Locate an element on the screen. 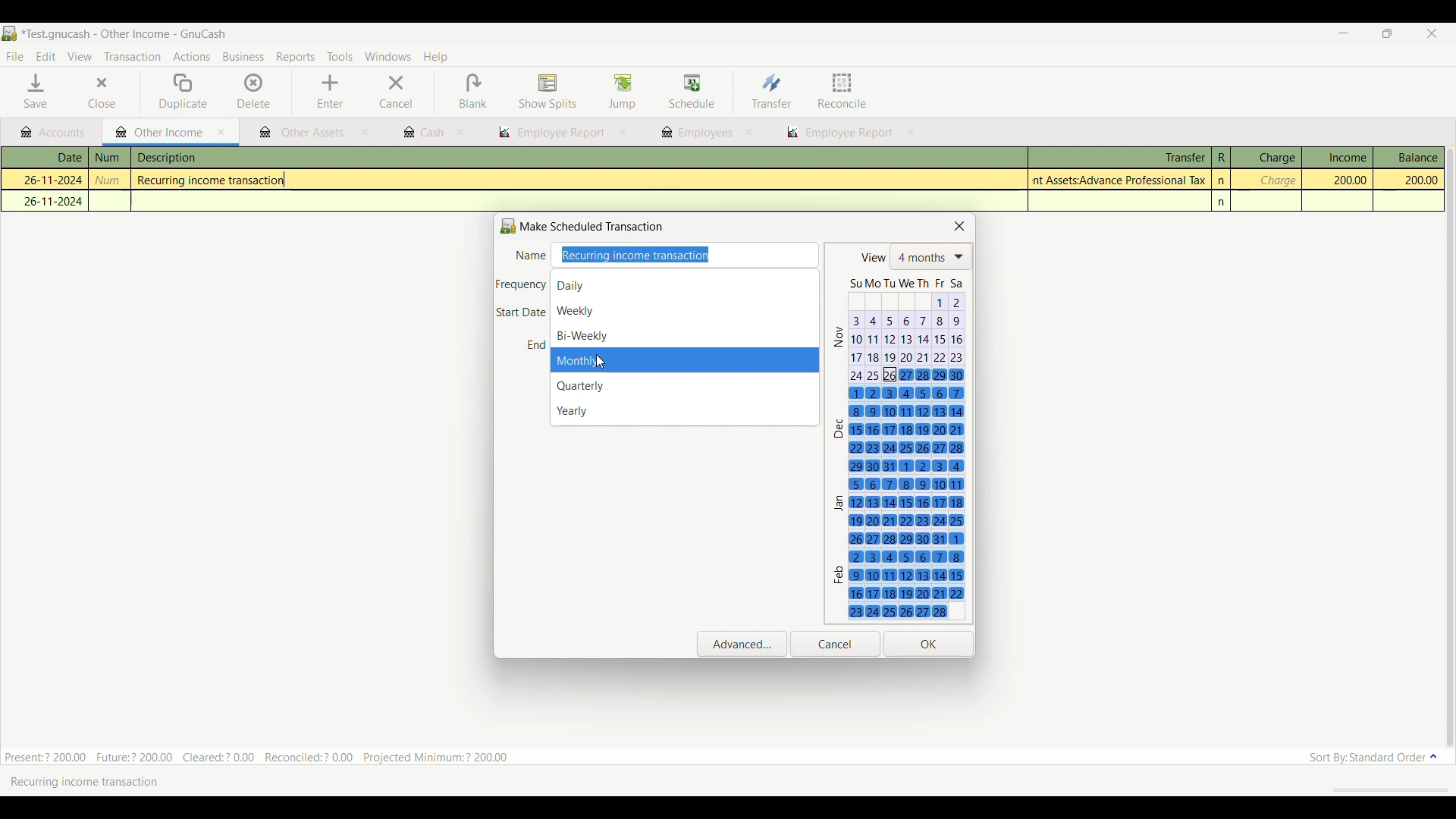  description is located at coordinates (245, 158).